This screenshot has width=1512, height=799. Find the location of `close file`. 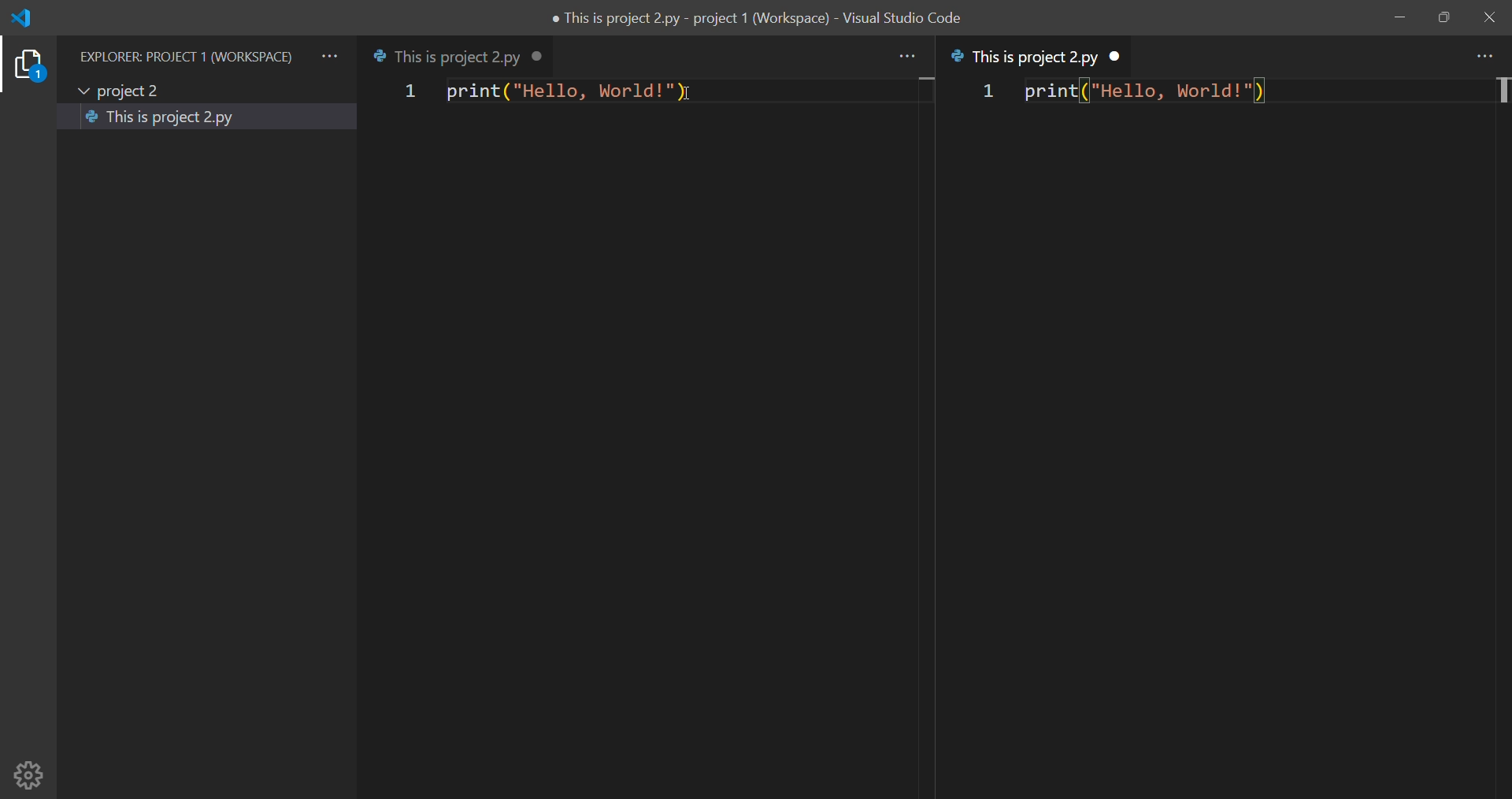

close file is located at coordinates (543, 56).